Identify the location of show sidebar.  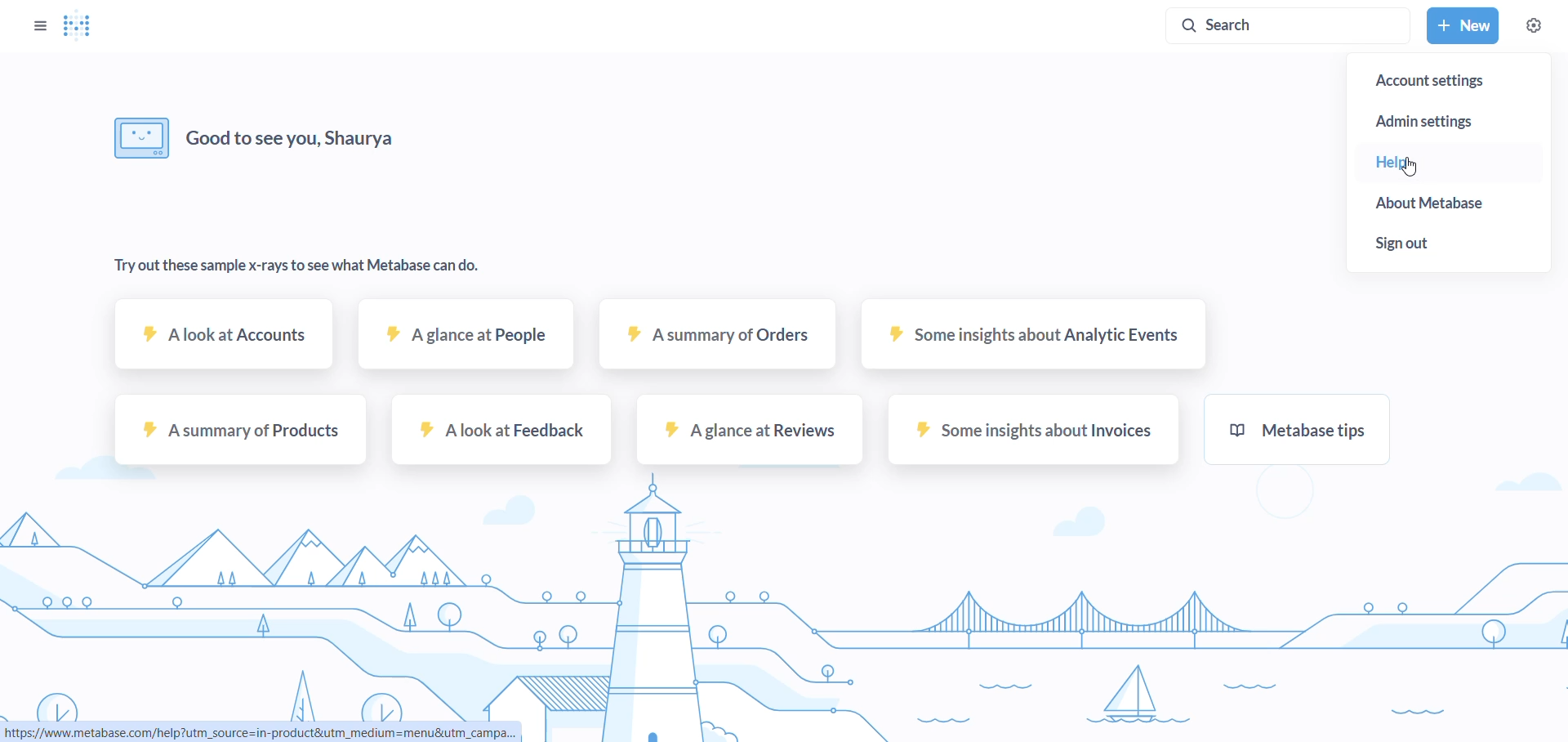
(38, 24).